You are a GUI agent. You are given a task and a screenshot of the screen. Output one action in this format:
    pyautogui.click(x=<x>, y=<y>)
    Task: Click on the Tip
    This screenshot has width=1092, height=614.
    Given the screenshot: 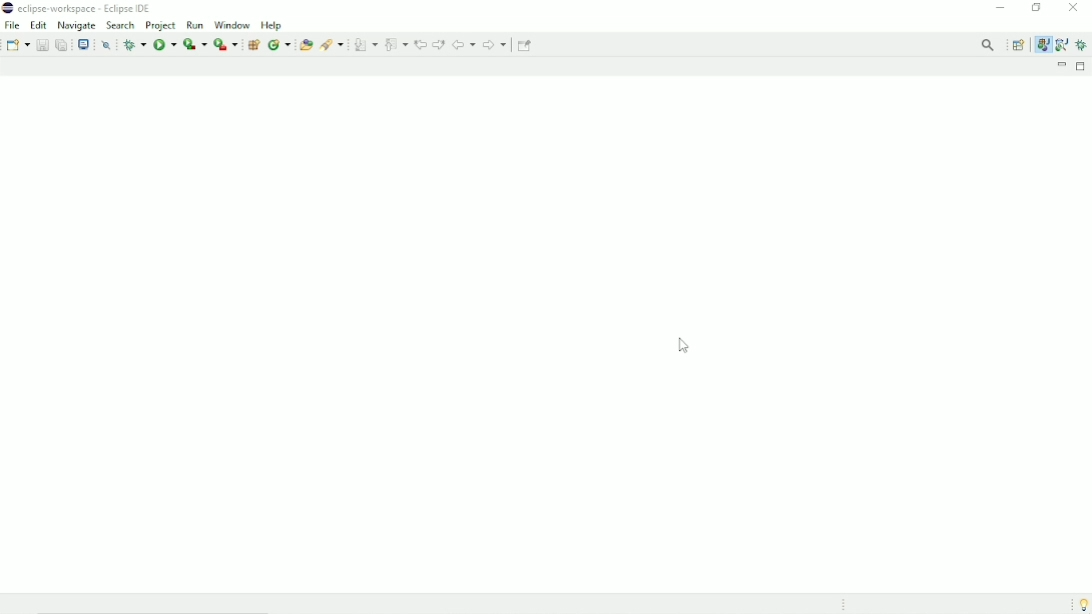 What is the action you would take?
    pyautogui.click(x=1072, y=603)
    